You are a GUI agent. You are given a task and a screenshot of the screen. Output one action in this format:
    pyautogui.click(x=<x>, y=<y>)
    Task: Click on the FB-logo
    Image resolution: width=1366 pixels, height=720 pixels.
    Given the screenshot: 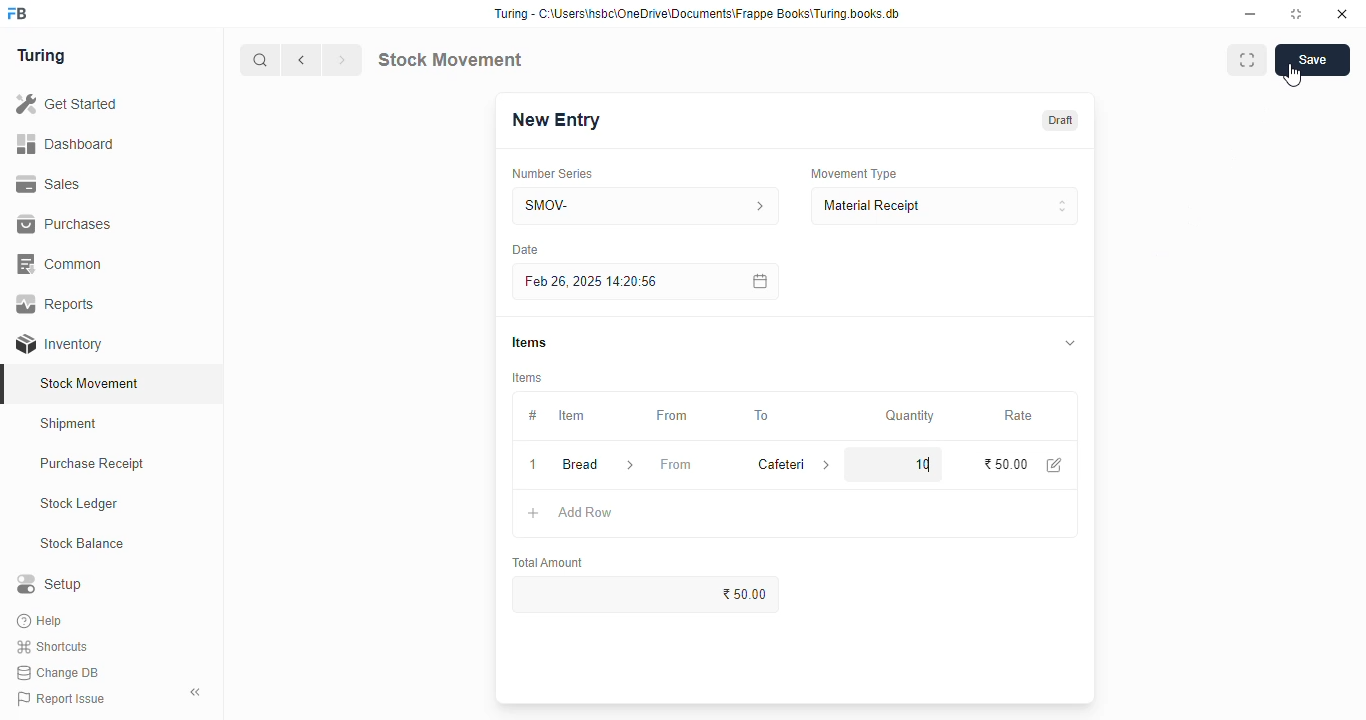 What is the action you would take?
    pyautogui.click(x=17, y=13)
    